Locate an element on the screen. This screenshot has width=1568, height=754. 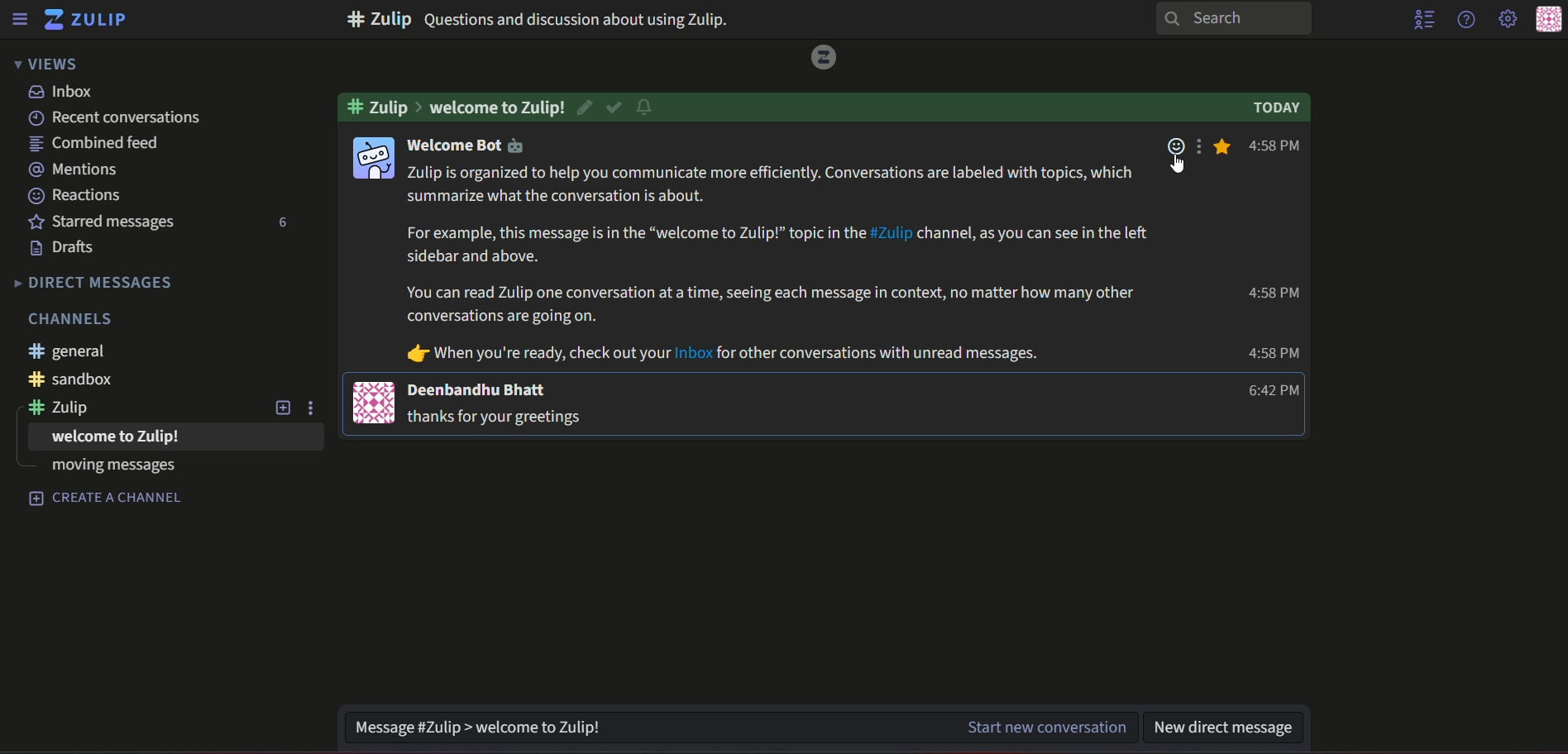
Direct messages is located at coordinates (92, 284).